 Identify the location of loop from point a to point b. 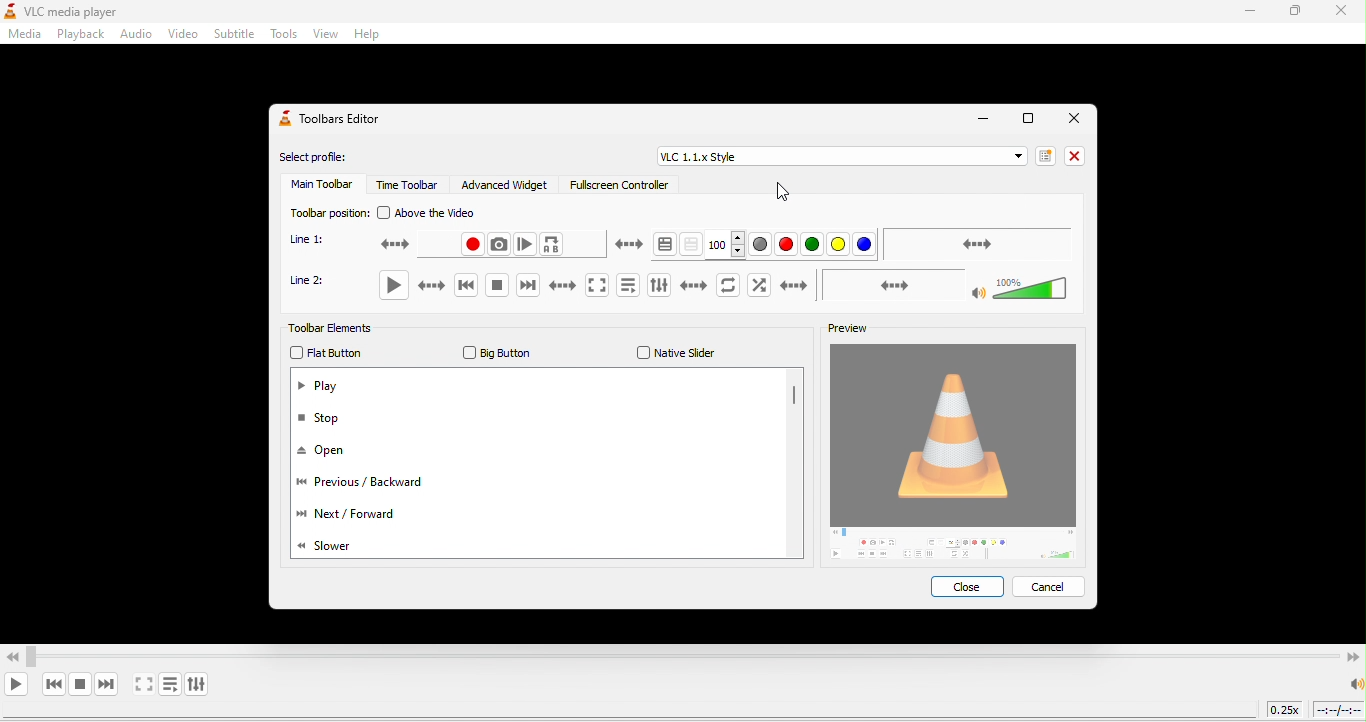
(858, 286).